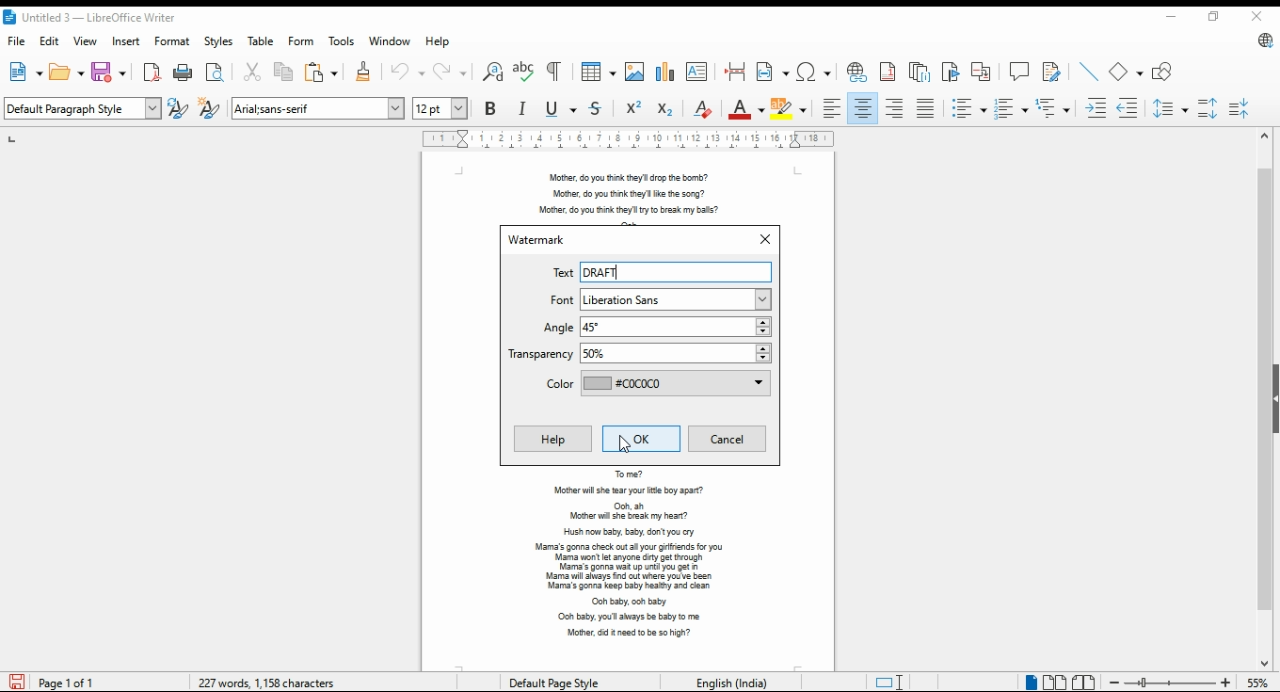 The height and width of the screenshot is (692, 1280). What do you see at coordinates (927, 108) in the screenshot?
I see `justified` at bounding box center [927, 108].